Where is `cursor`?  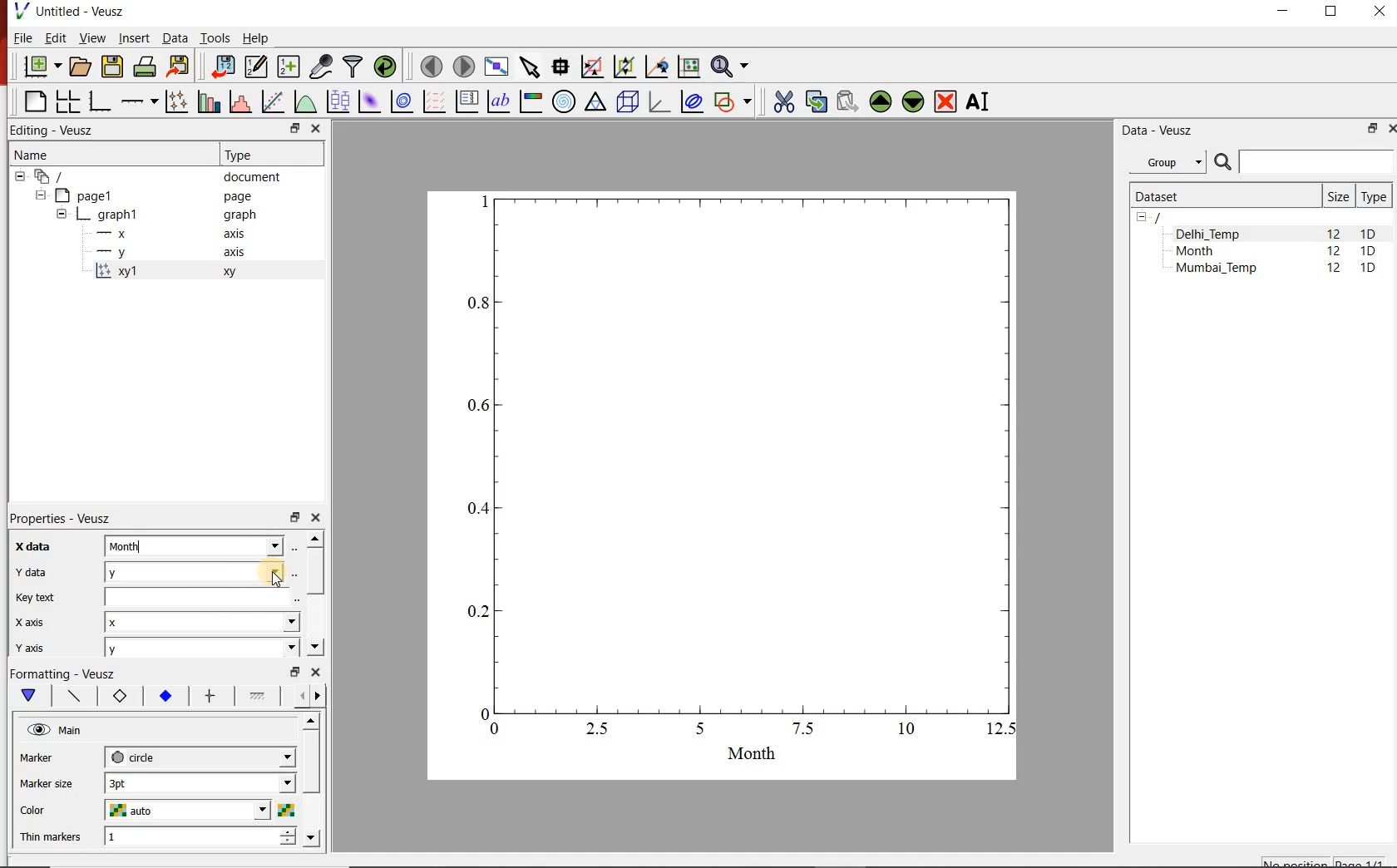 cursor is located at coordinates (272, 579).